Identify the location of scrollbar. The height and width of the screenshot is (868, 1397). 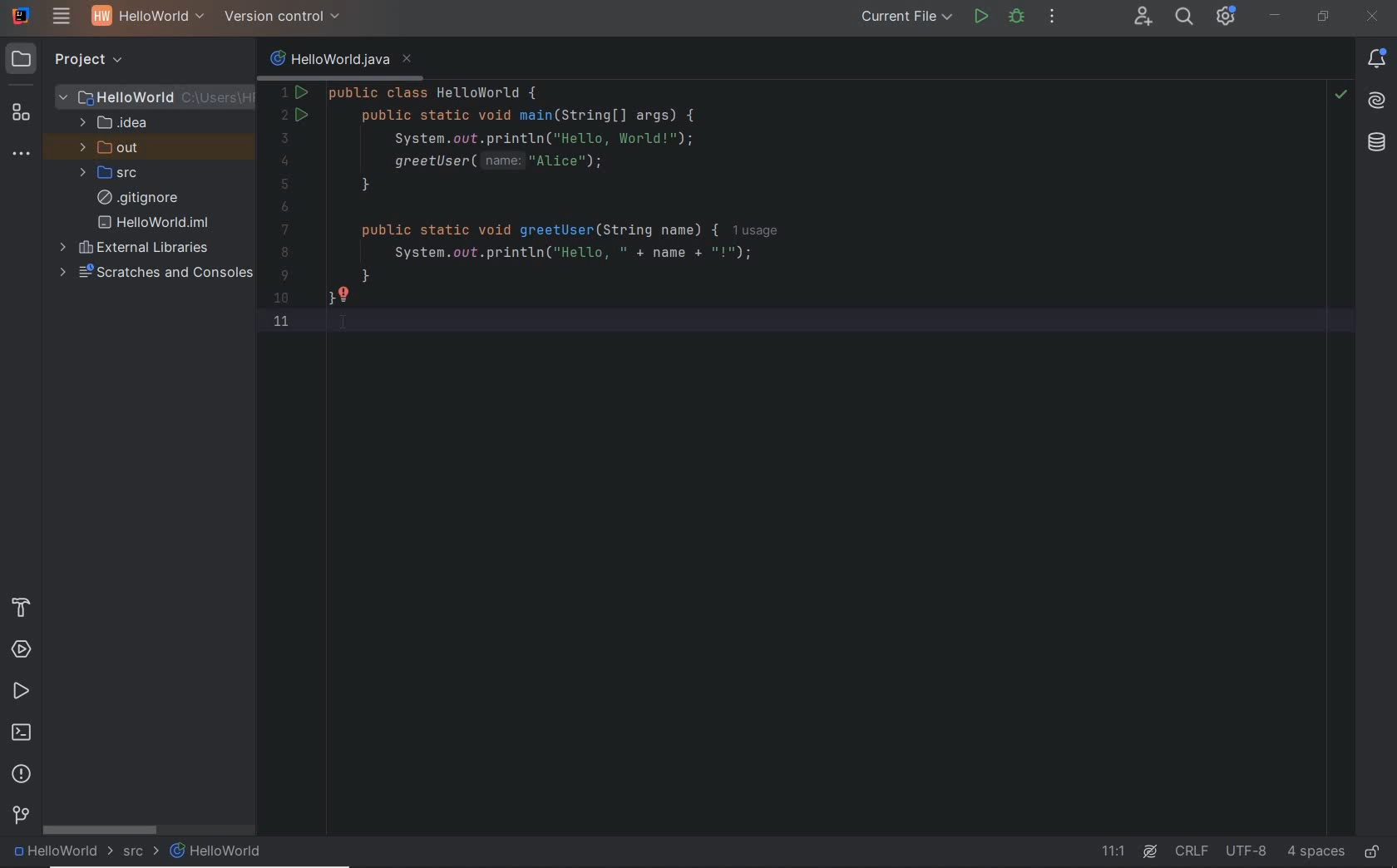
(101, 828).